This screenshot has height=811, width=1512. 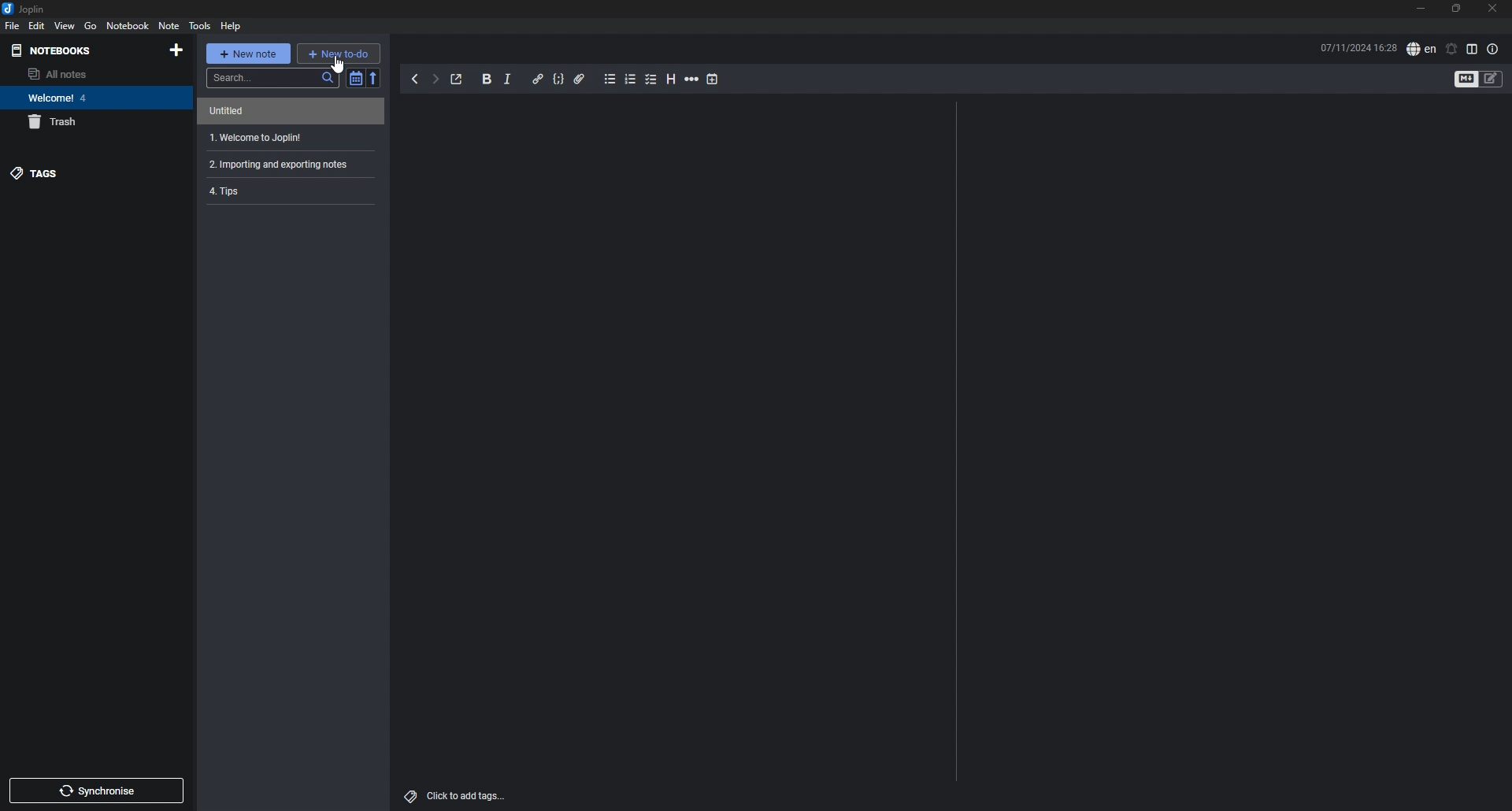 I want to click on add notebook, so click(x=178, y=50).